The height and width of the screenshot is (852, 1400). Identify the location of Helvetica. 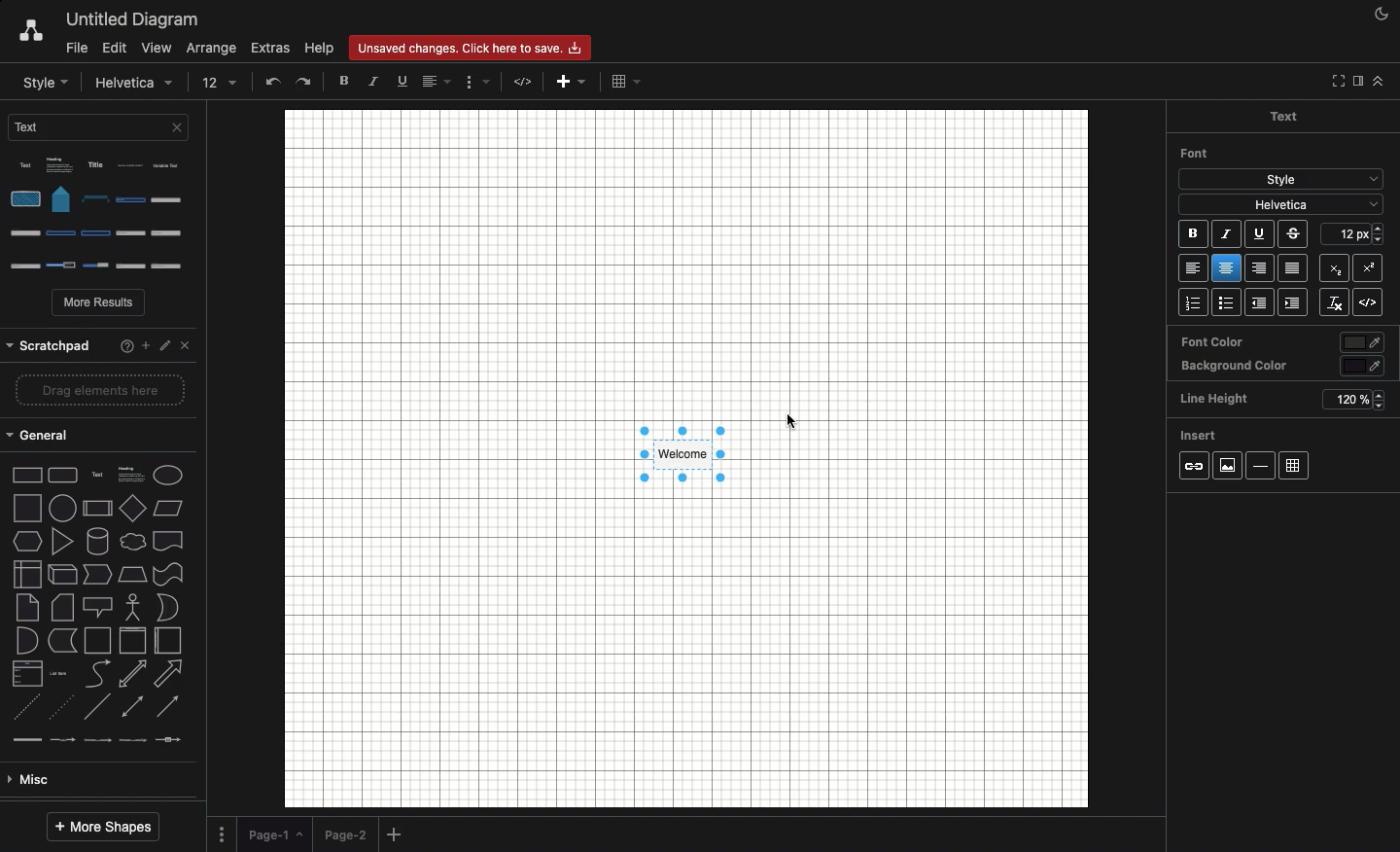
(1282, 203).